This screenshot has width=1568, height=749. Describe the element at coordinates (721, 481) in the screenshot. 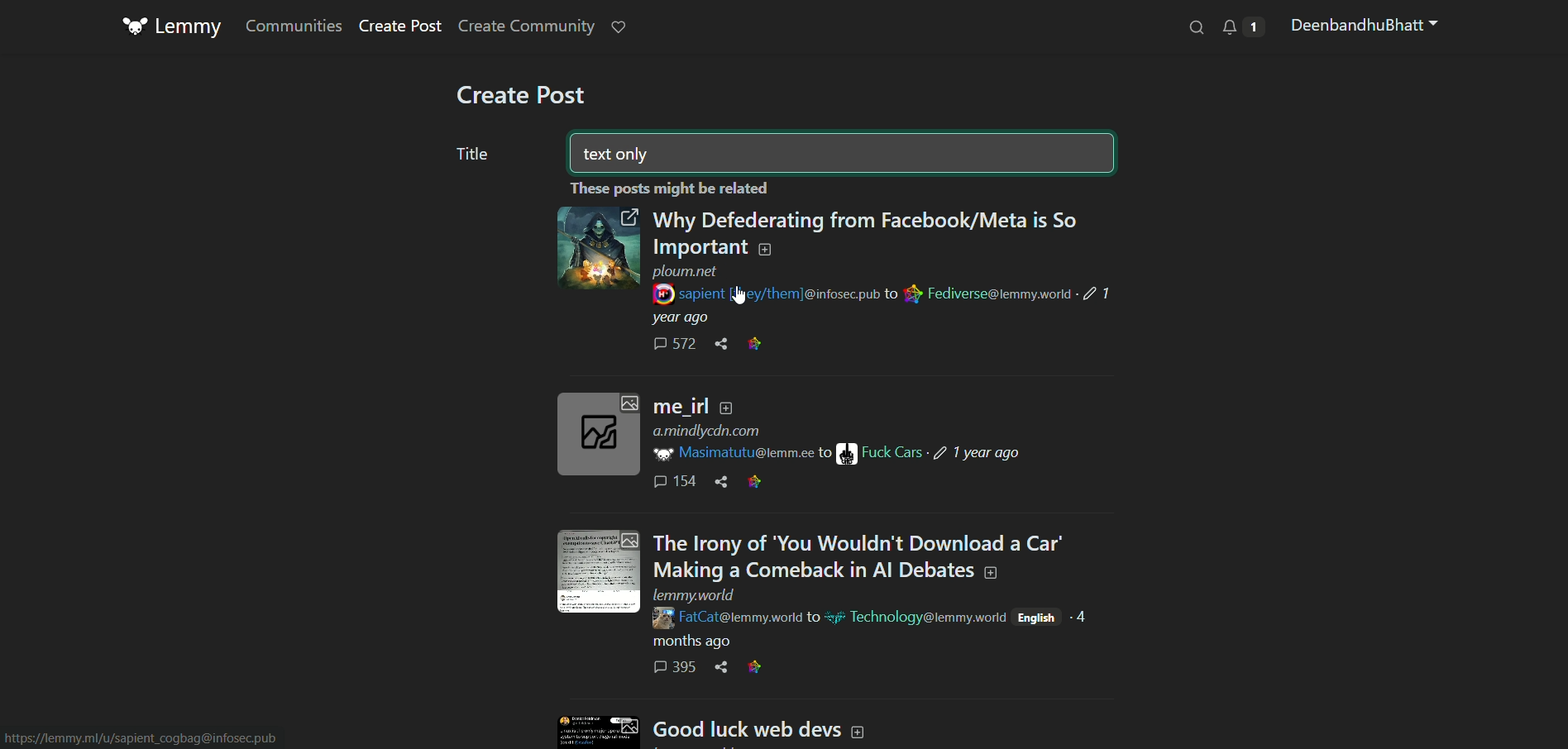

I see `Share` at that location.